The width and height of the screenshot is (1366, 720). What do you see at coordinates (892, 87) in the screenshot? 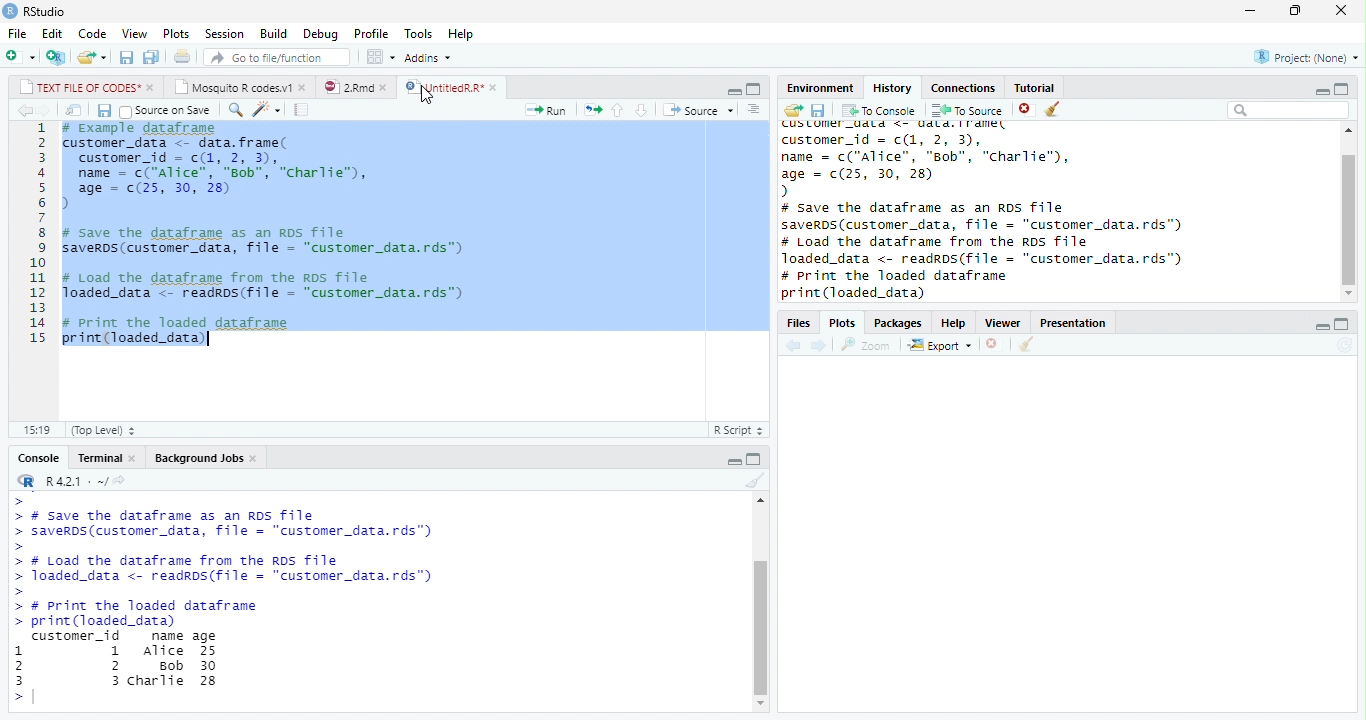
I see `History` at bounding box center [892, 87].